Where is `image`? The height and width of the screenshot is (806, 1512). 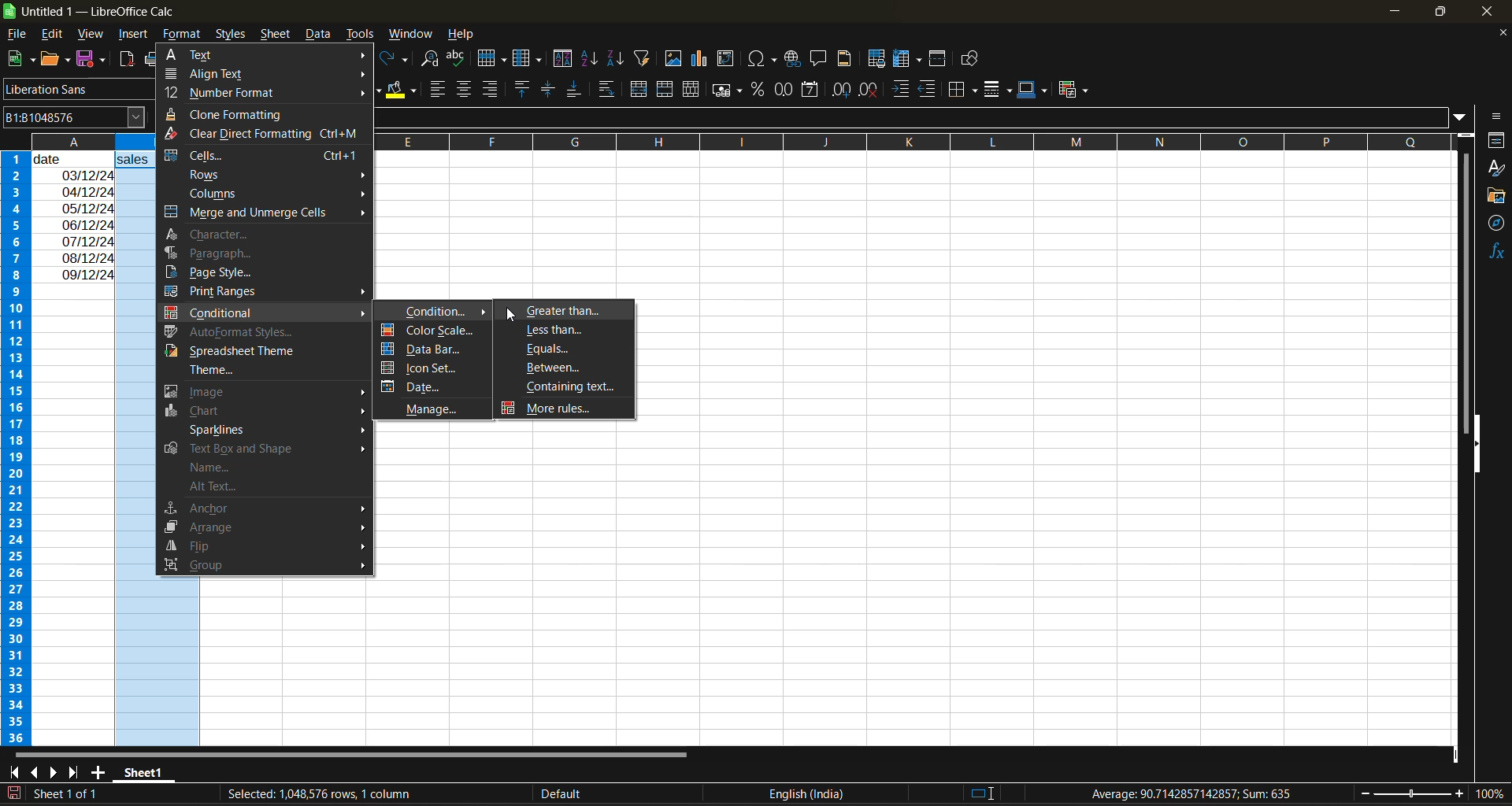
image is located at coordinates (261, 393).